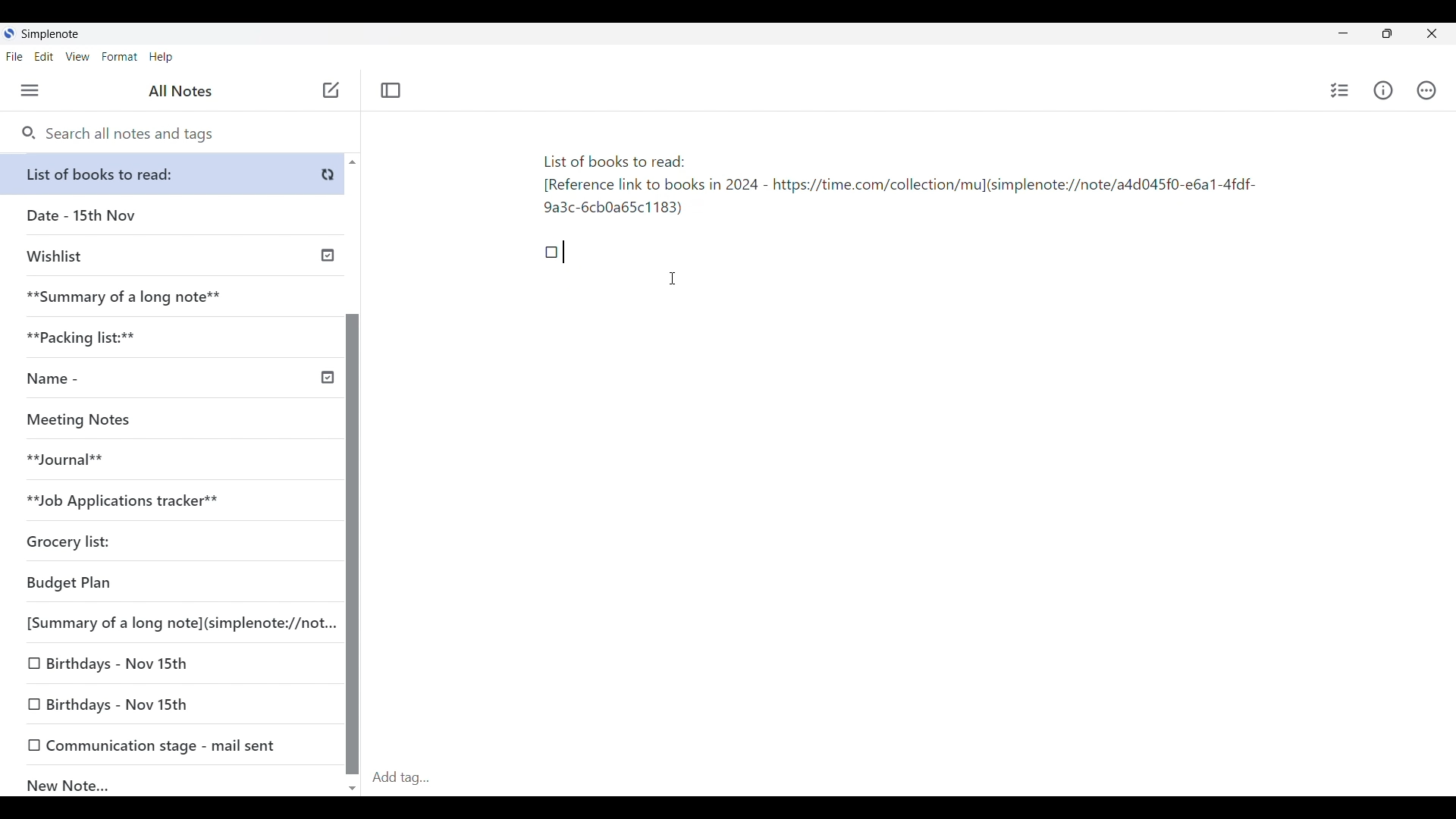  What do you see at coordinates (171, 664) in the screenshot?
I see `Birthdays - Nov 15th` at bounding box center [171, 664].